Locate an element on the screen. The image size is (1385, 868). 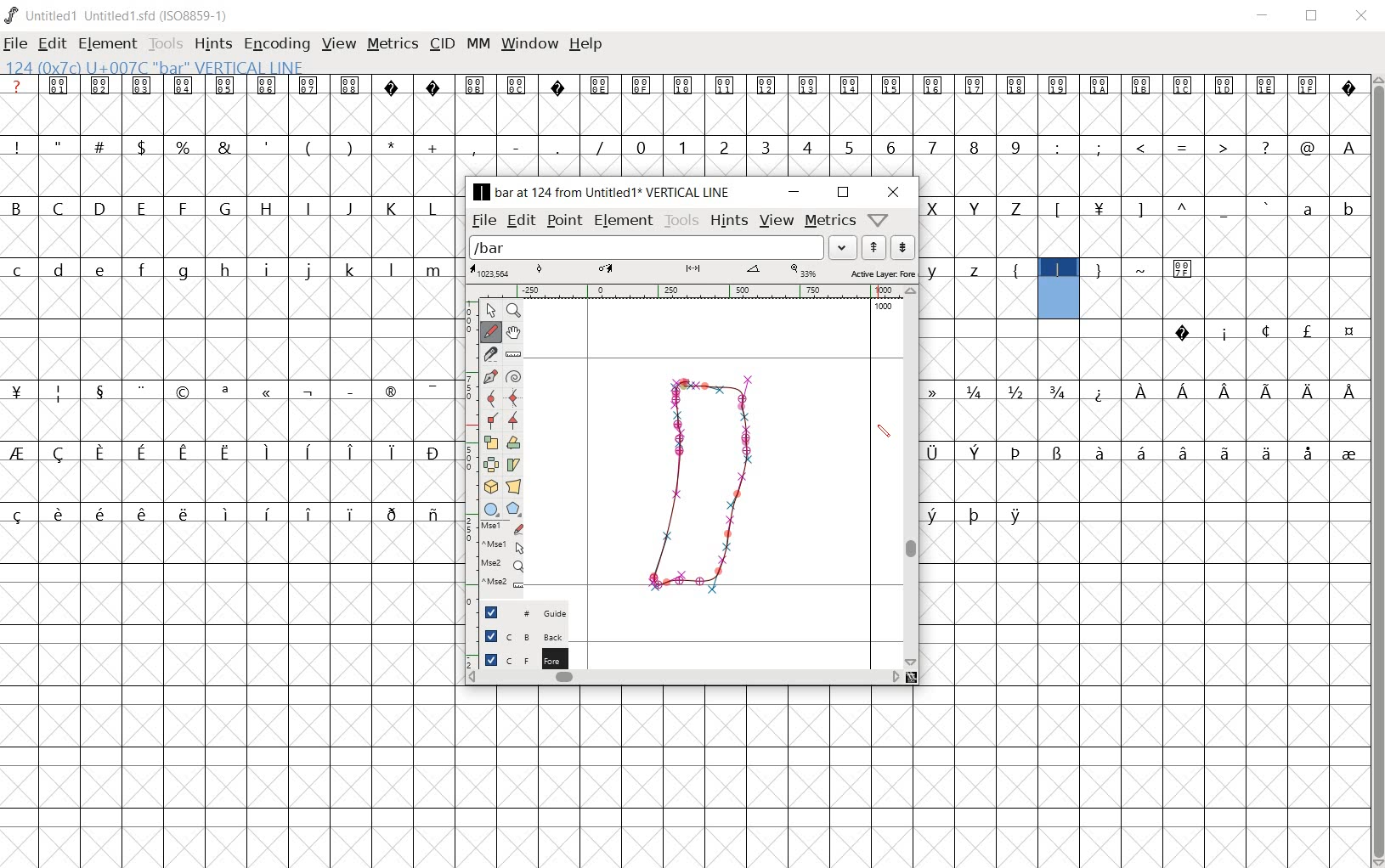
hints is located at coordinates (213, 44).